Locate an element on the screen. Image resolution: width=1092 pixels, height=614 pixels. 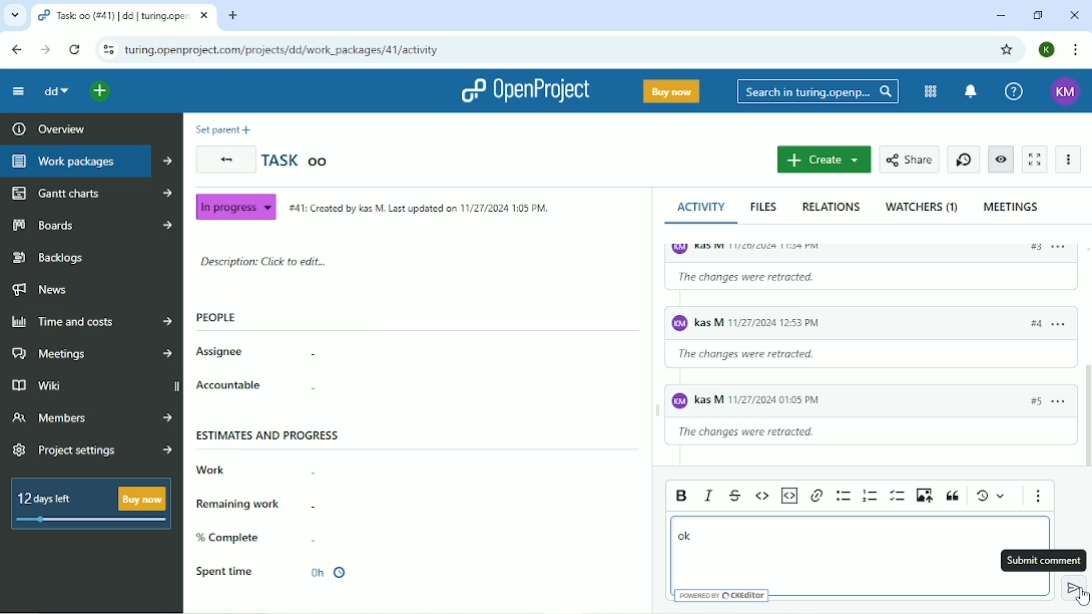
options is located at coordinates (1058, 331).